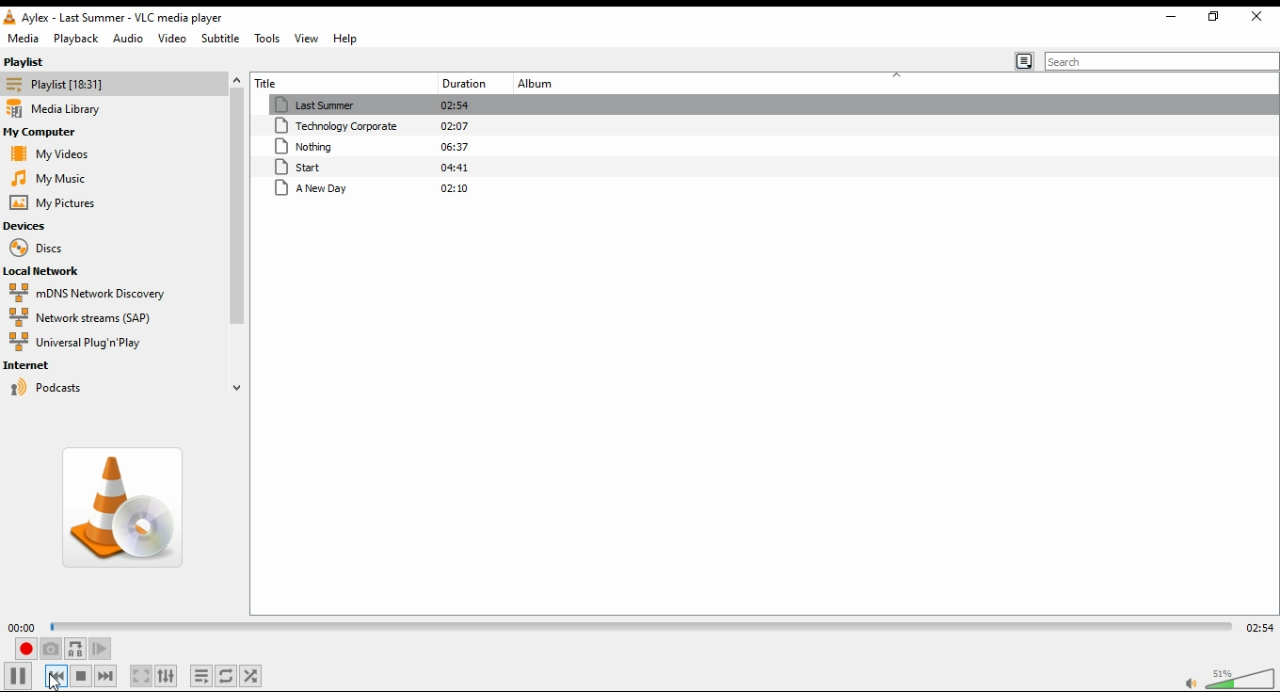 This screenshot has width=1280, height=692. I want to click on start, so click(337, 167).